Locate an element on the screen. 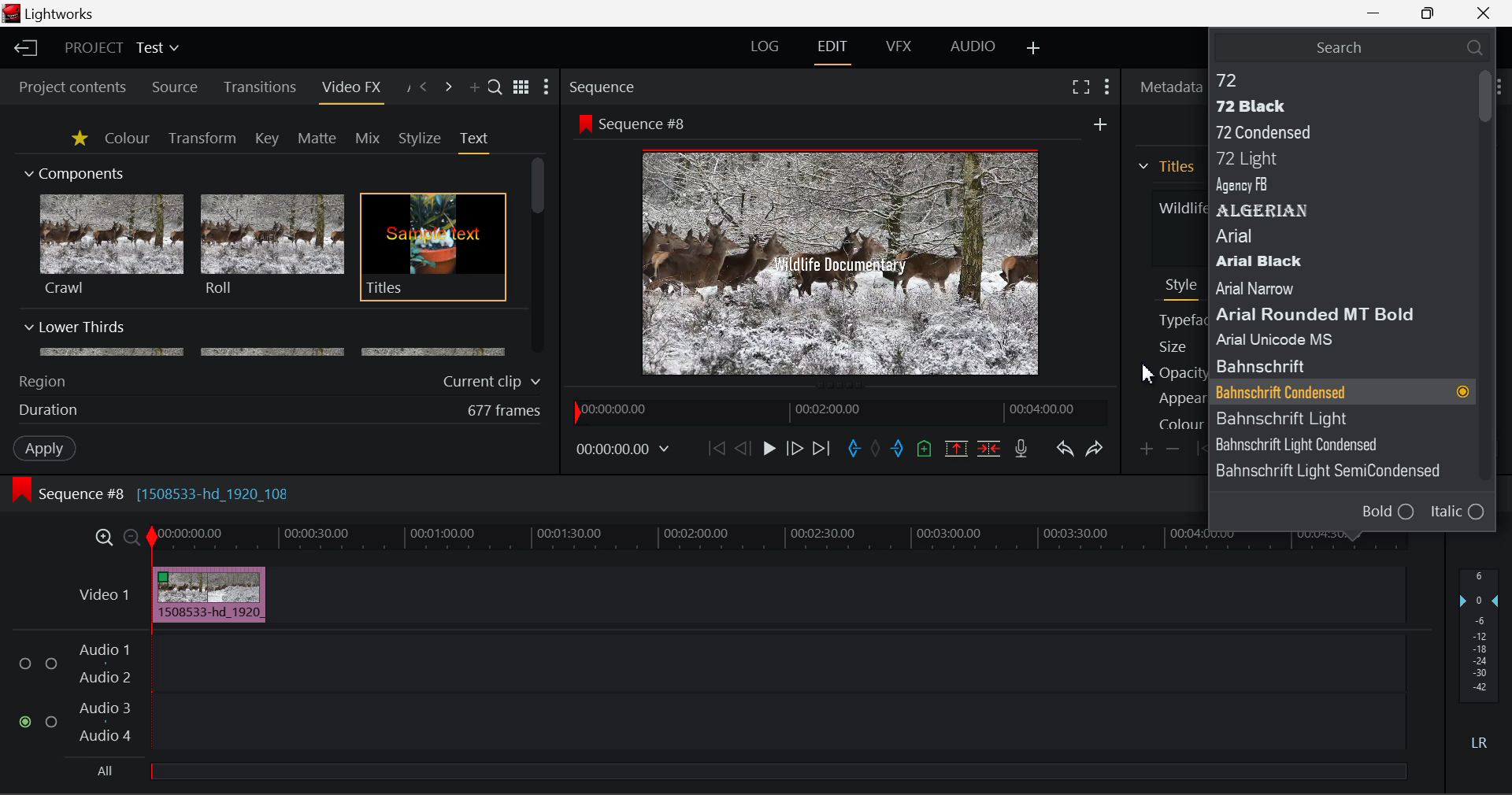  Bold is located at coordinates (1388, 511).